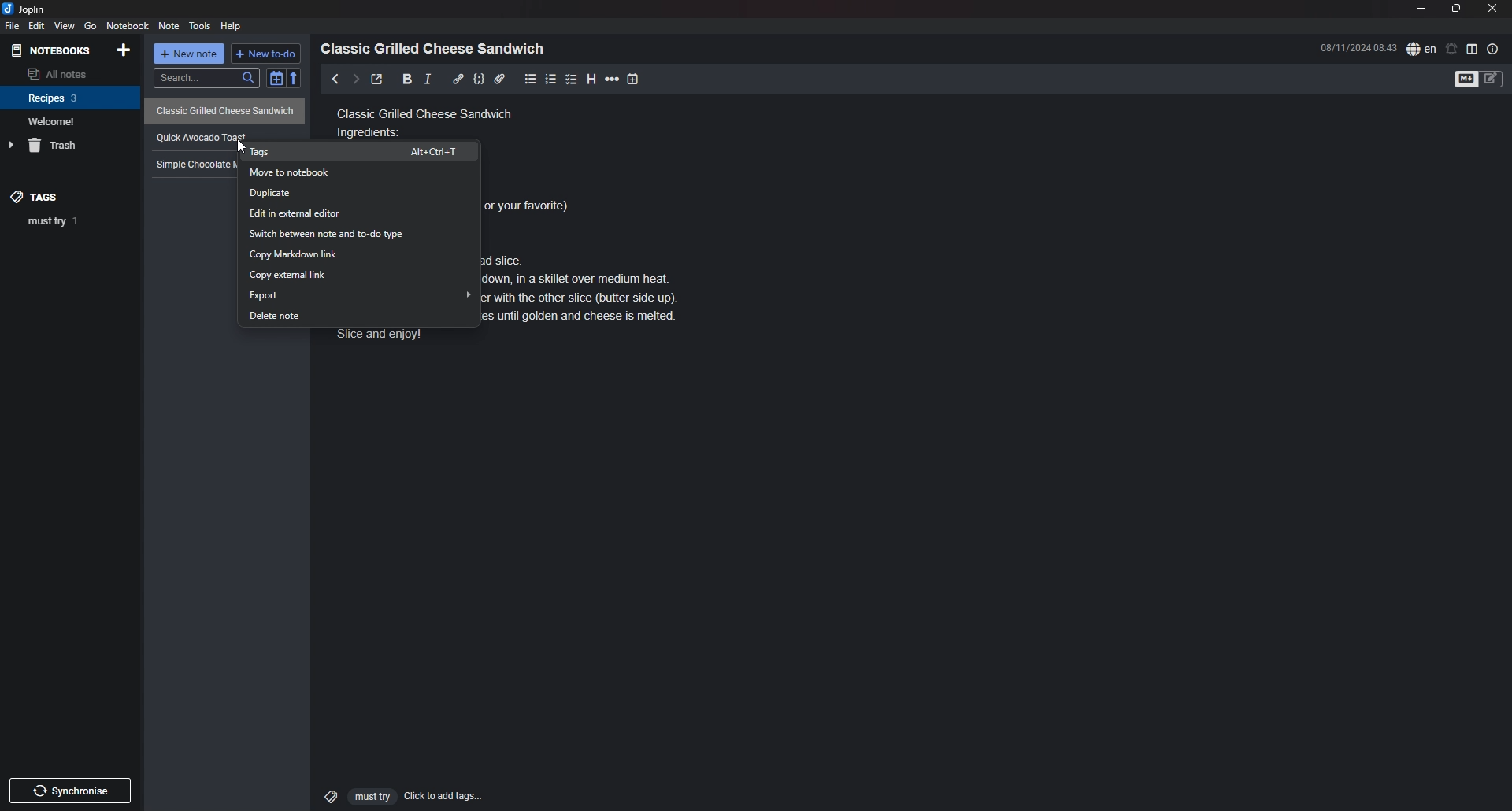  I want to click on Simple chocolate mug cake, so click(193, 164).